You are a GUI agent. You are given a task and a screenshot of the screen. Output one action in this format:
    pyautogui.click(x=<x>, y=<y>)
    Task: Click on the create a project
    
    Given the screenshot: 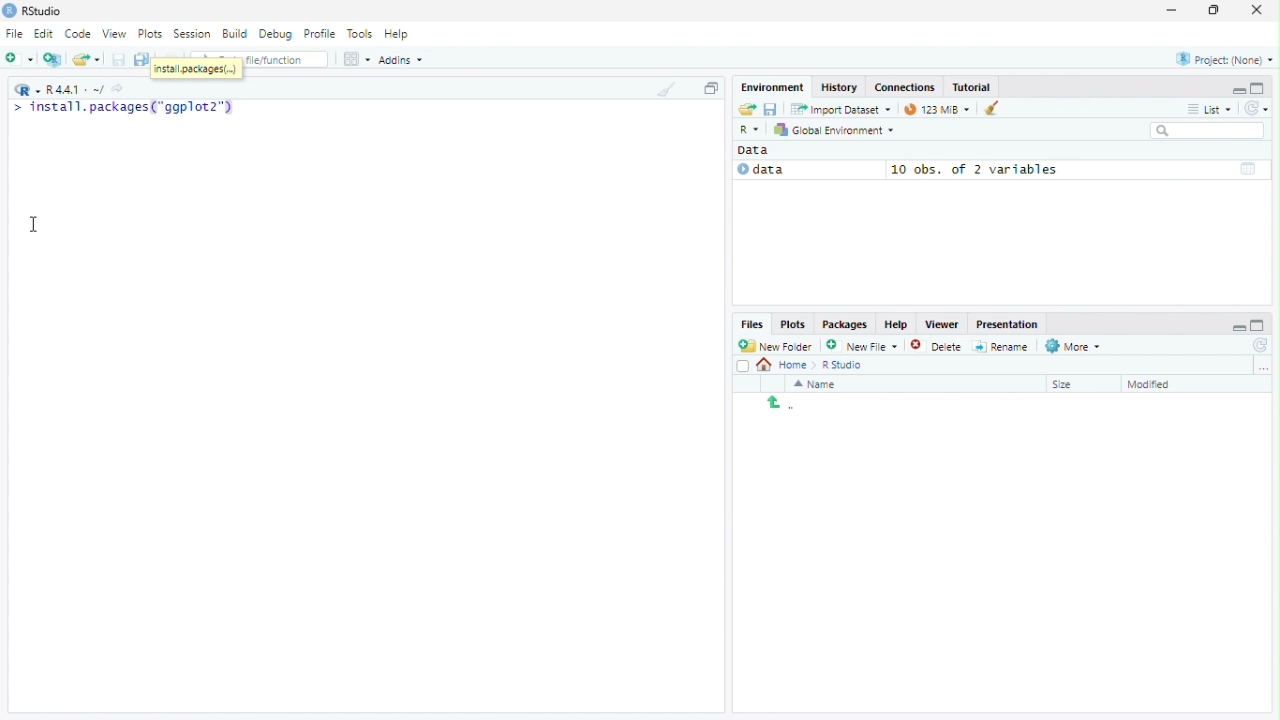 What is the action you would take?
    pyautogui.click(x=53, y=59)
    